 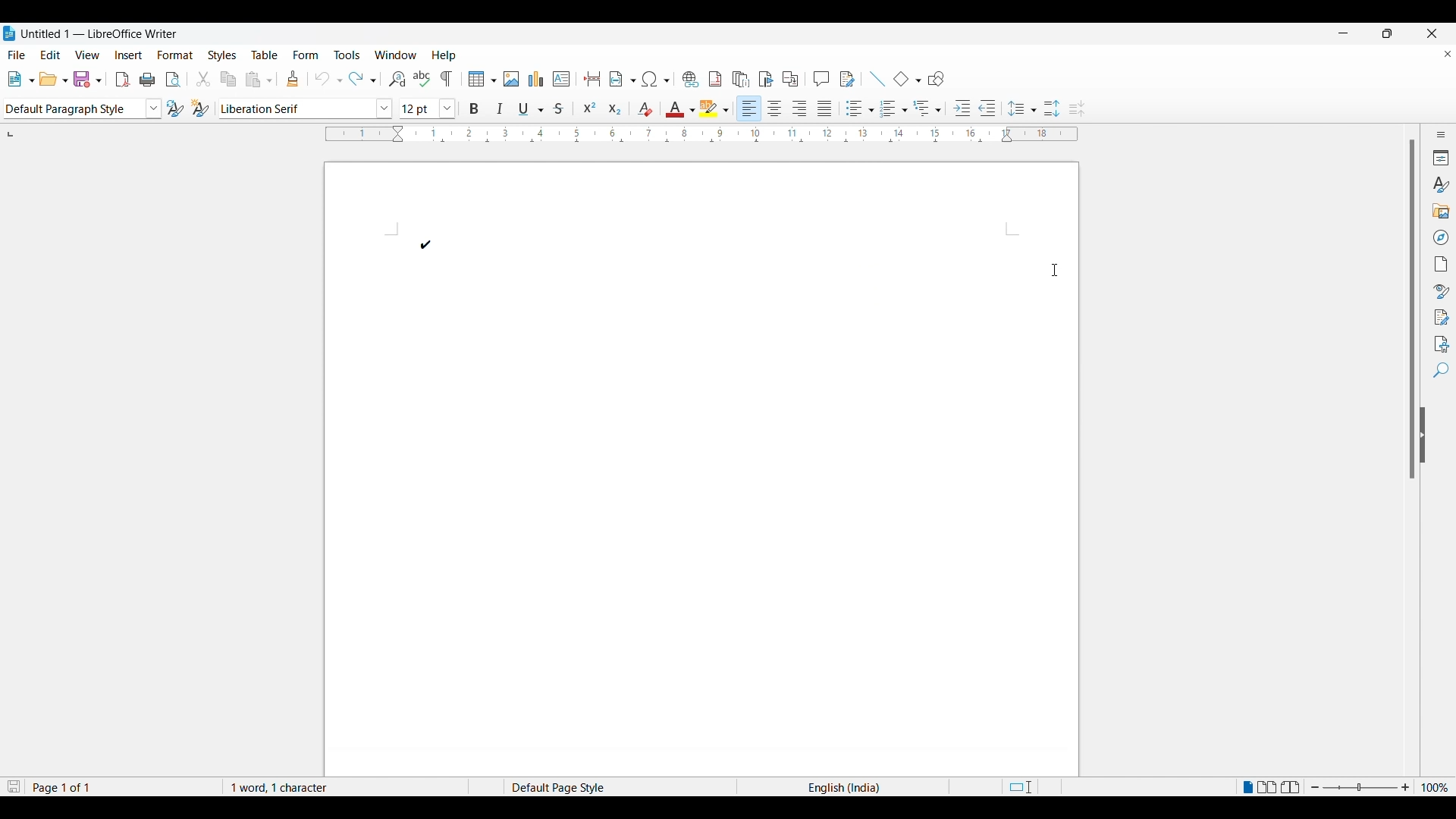 I want to click on Page 1 of 1, so click(x=61, y=786).